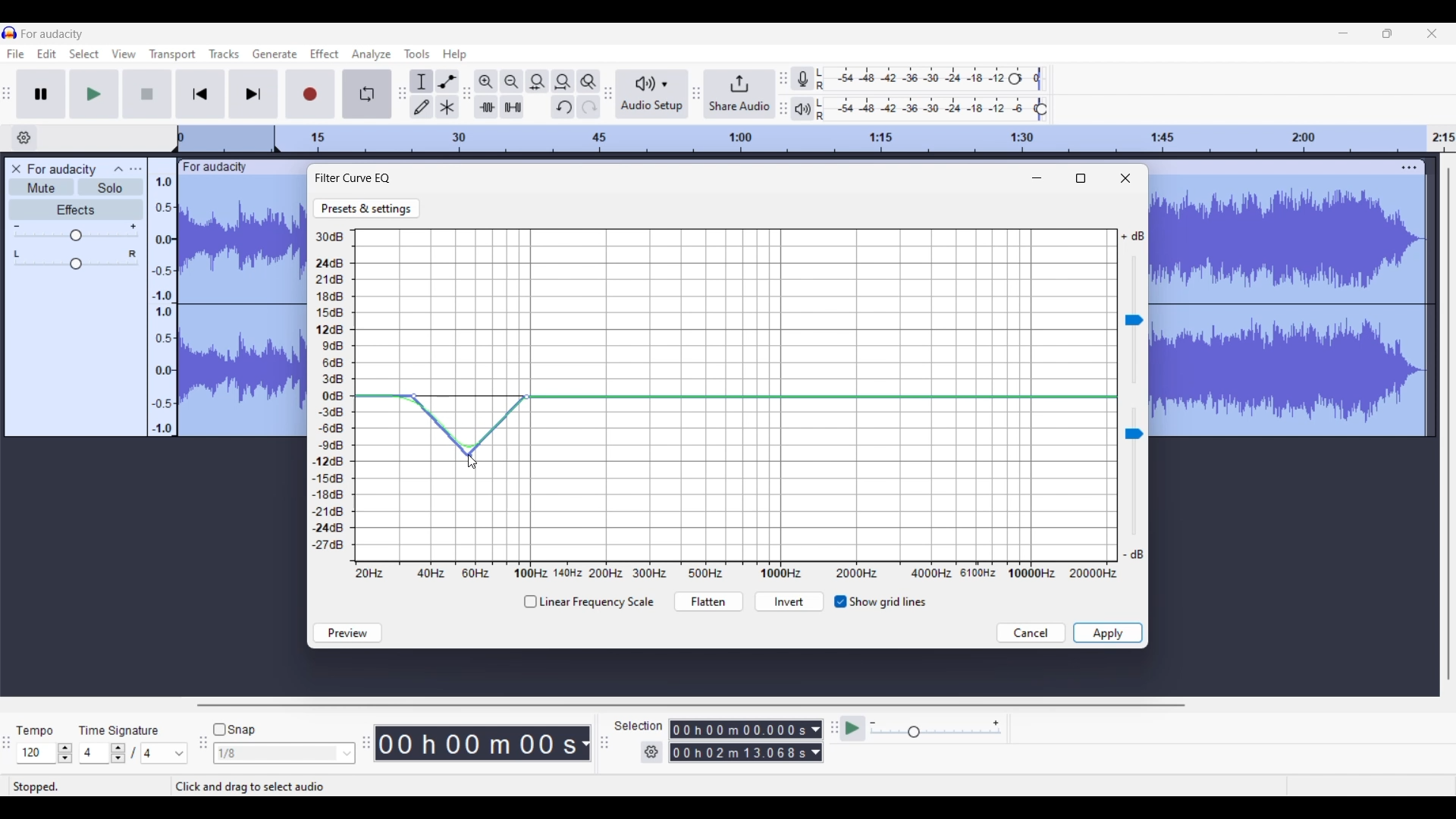 The image size is (1456, 819). I want to click on Tempo, so click(36, 729).